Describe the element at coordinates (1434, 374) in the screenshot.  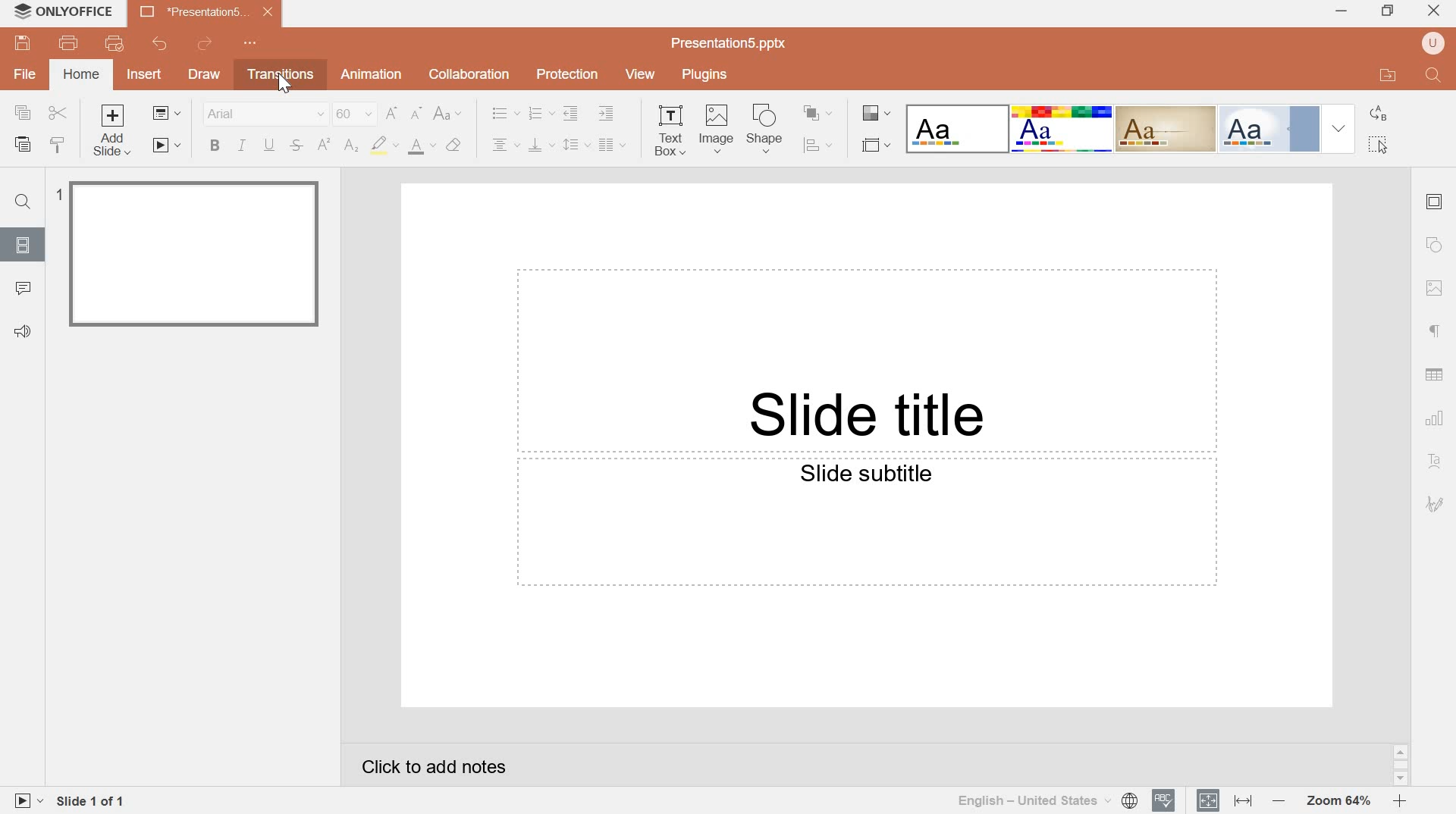
I see `Table settings` at that location.